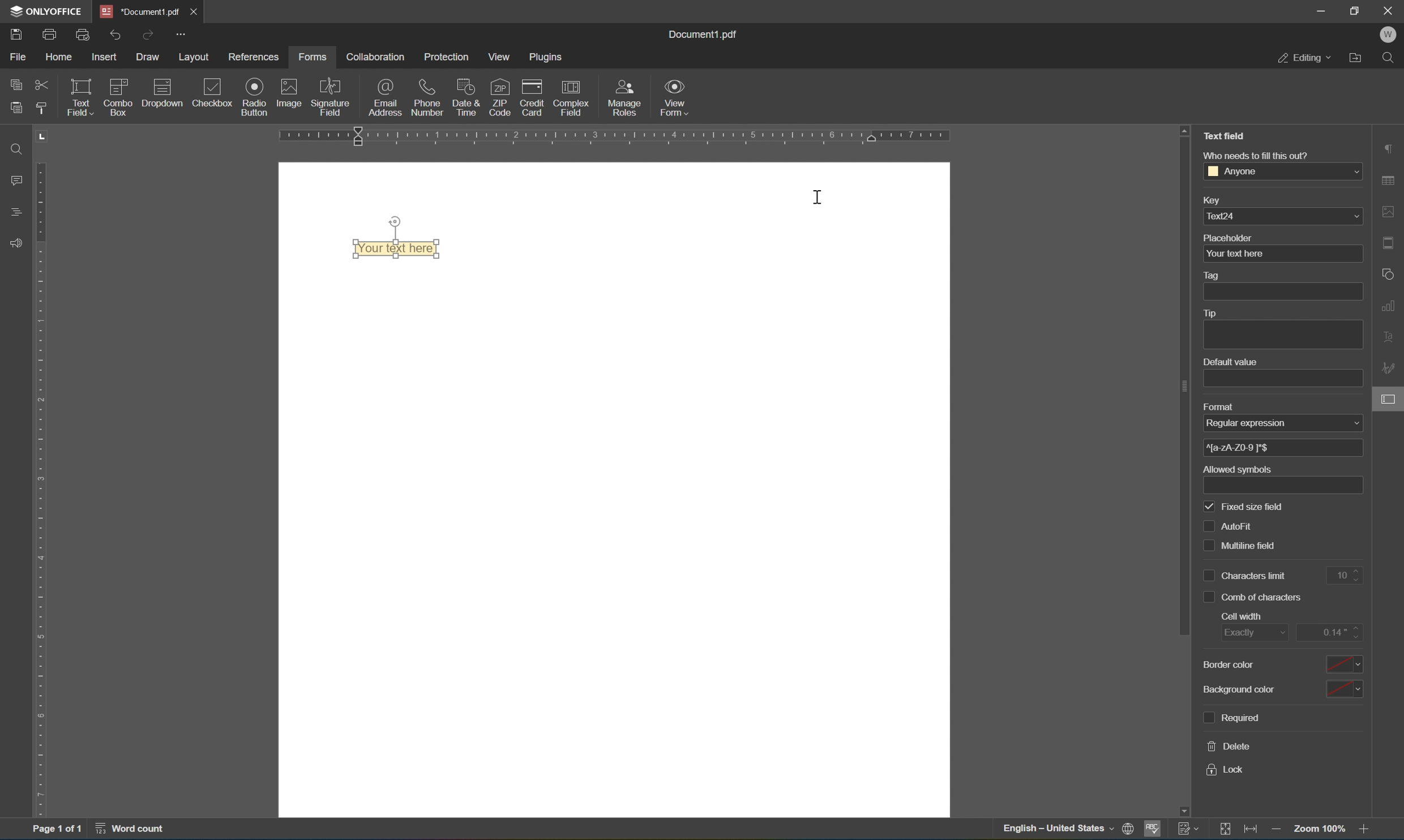 Image resolution: width=1404 pixels, height=840 pixels. I want to click on phone number, so click(427, 96).